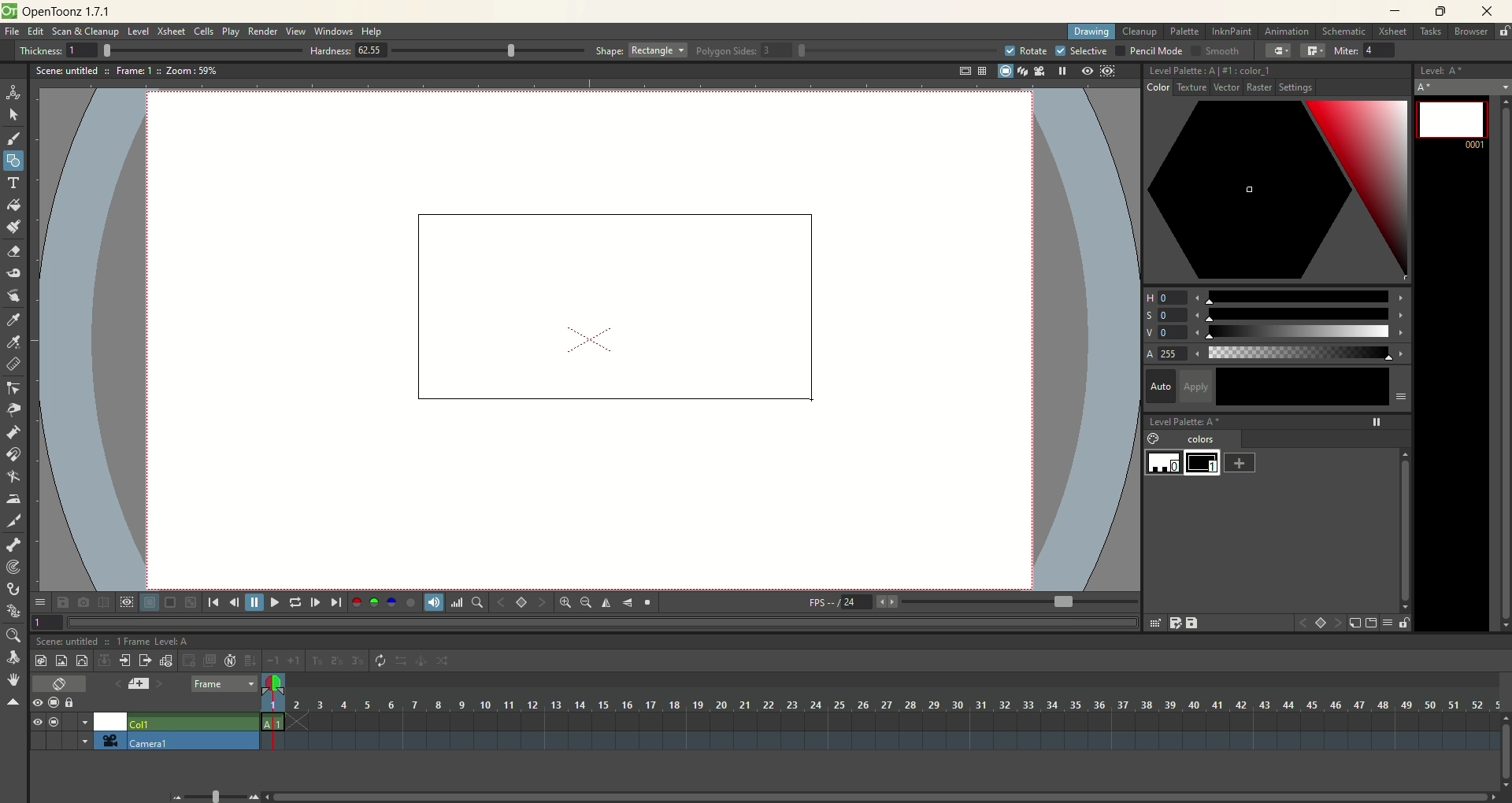 The width and height of the screenshot is (1512, 803). What do you see at coordinates (138, 683) in the screenshot?
I see `add new memo` at bounding box center [138, 683].